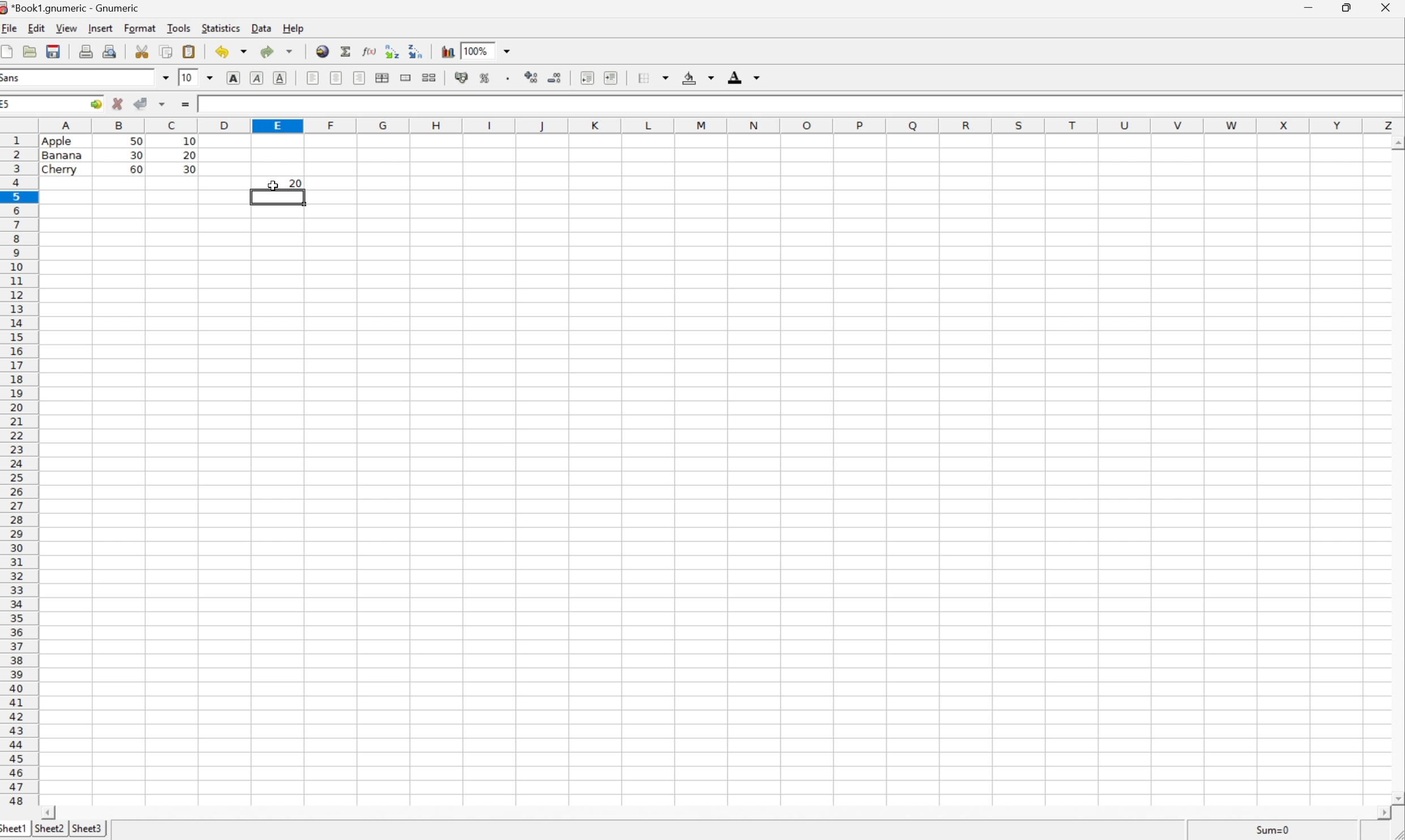 This screenshot has width=1405, height=840. What do you see at coordinates (234, 77) in the screenshot?
I see `bold` at bounding box center [234, 77].